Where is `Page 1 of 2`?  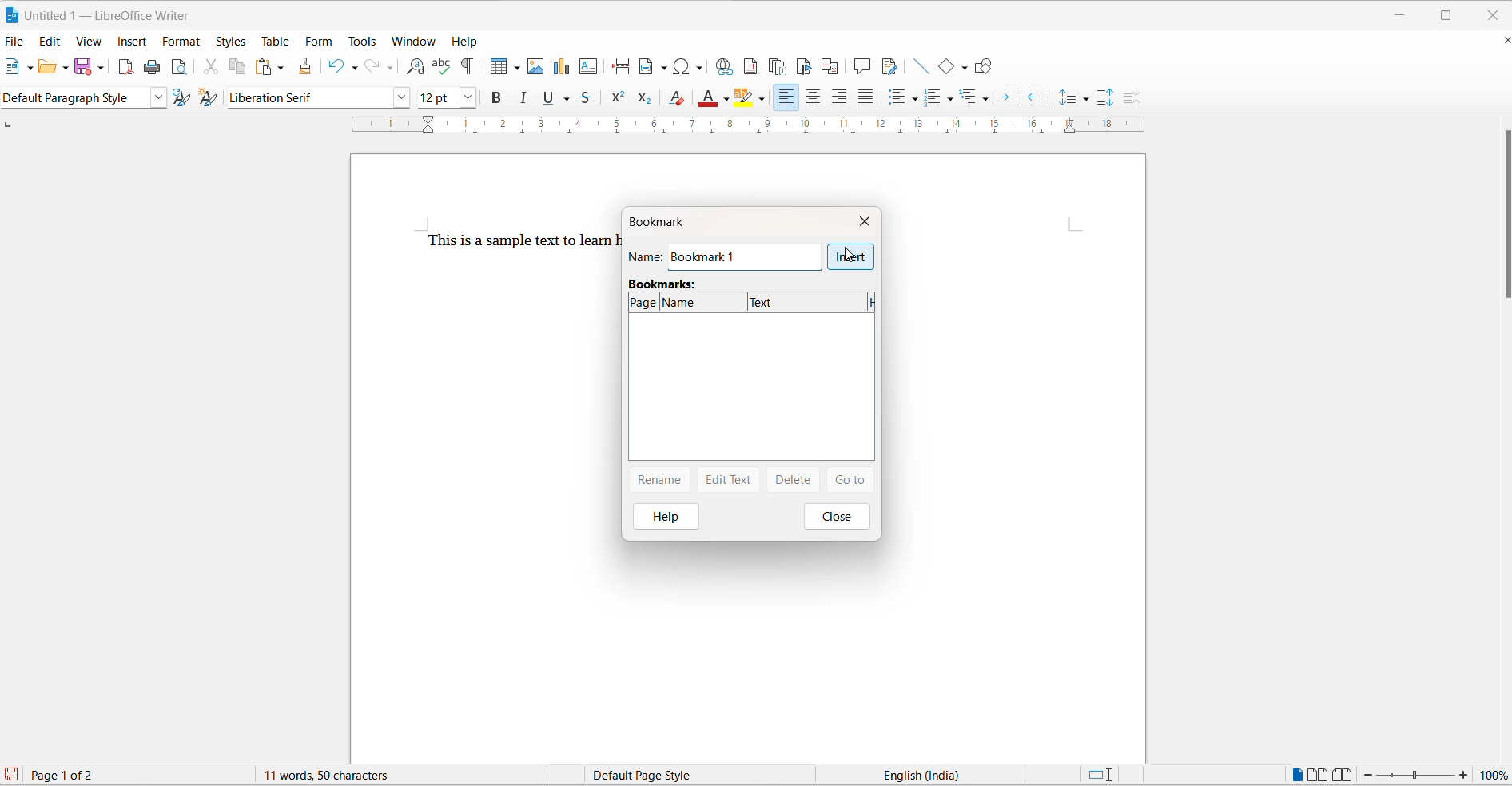
Page 1 of 2 is located at coordinates (78, 774).